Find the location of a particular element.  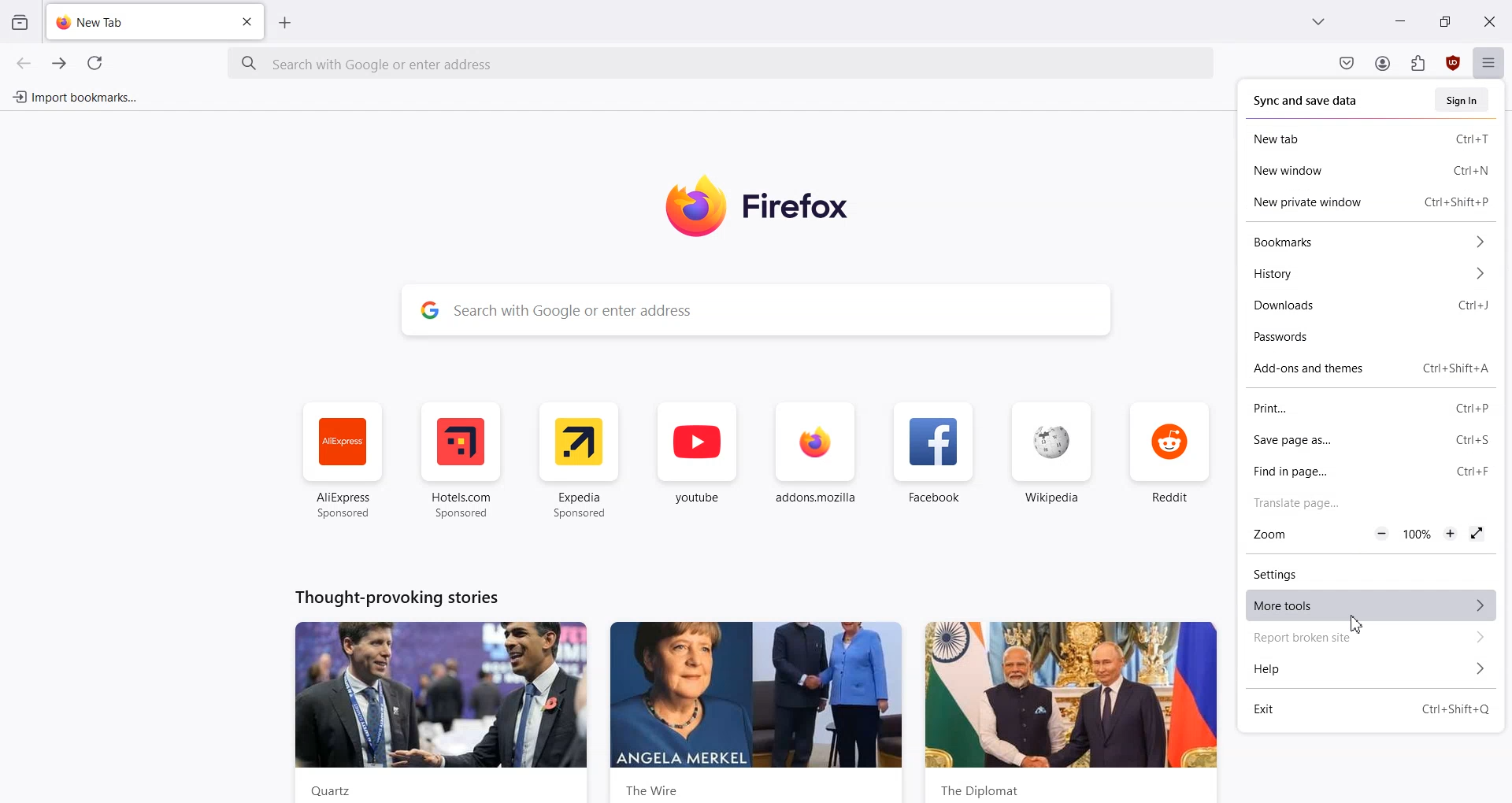

Hotel.com Sponsored is located at coordinates (465, 460).